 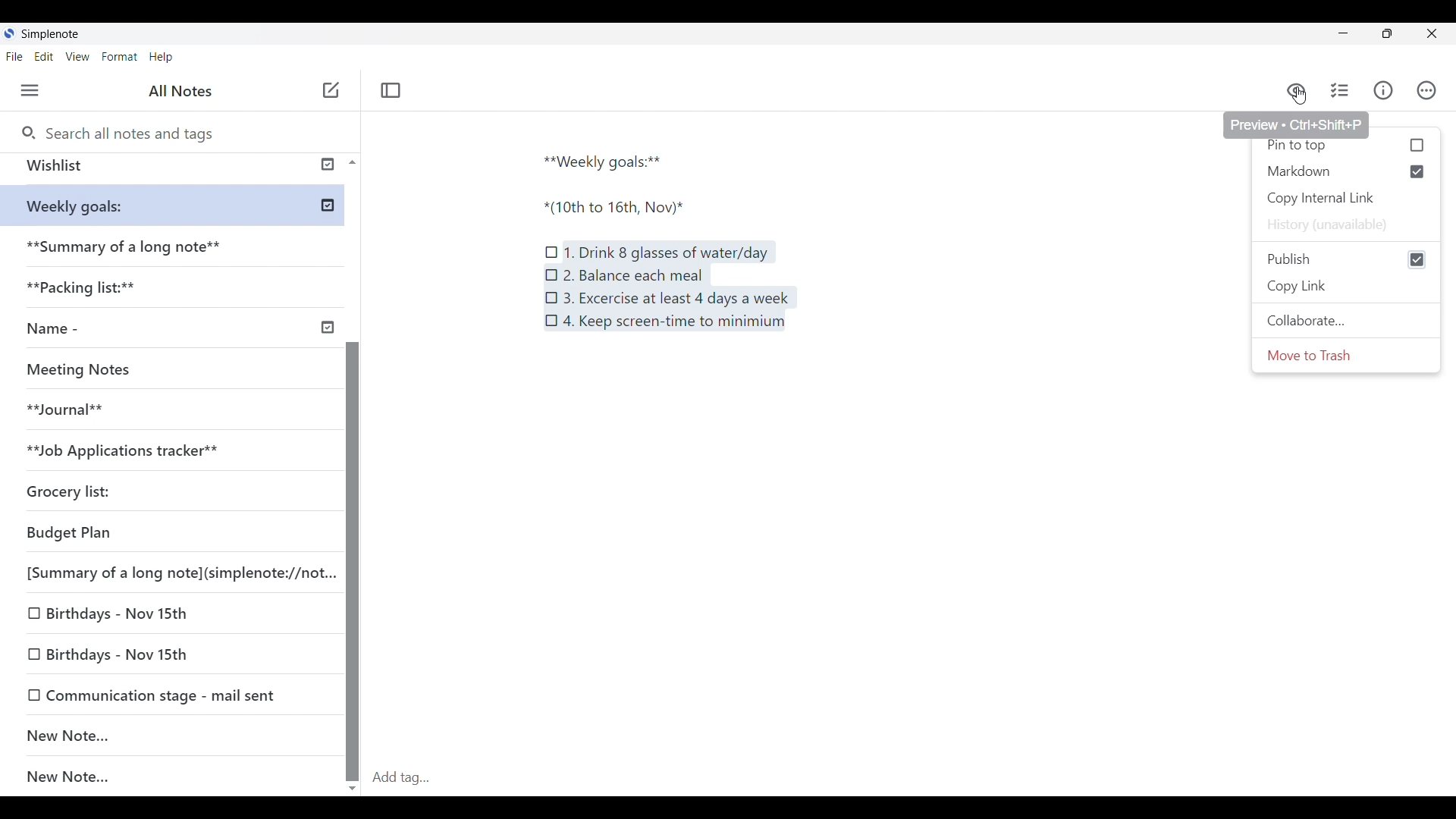 What do you see at coordinates (49, 58) in the screenshot?
I see `Edit` at bounding box center [49, 58].